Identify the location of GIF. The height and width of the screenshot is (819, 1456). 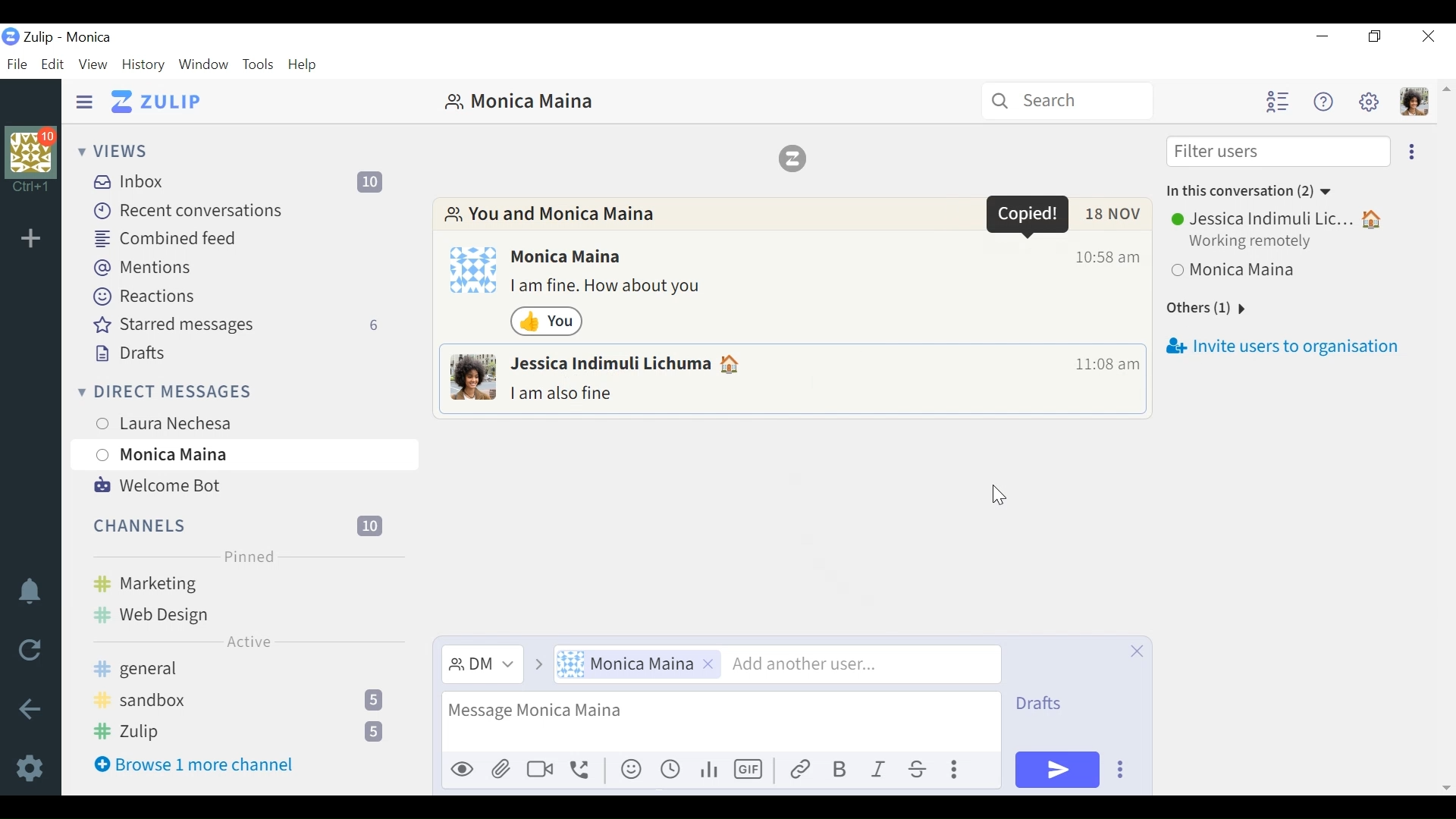
(750, 769).